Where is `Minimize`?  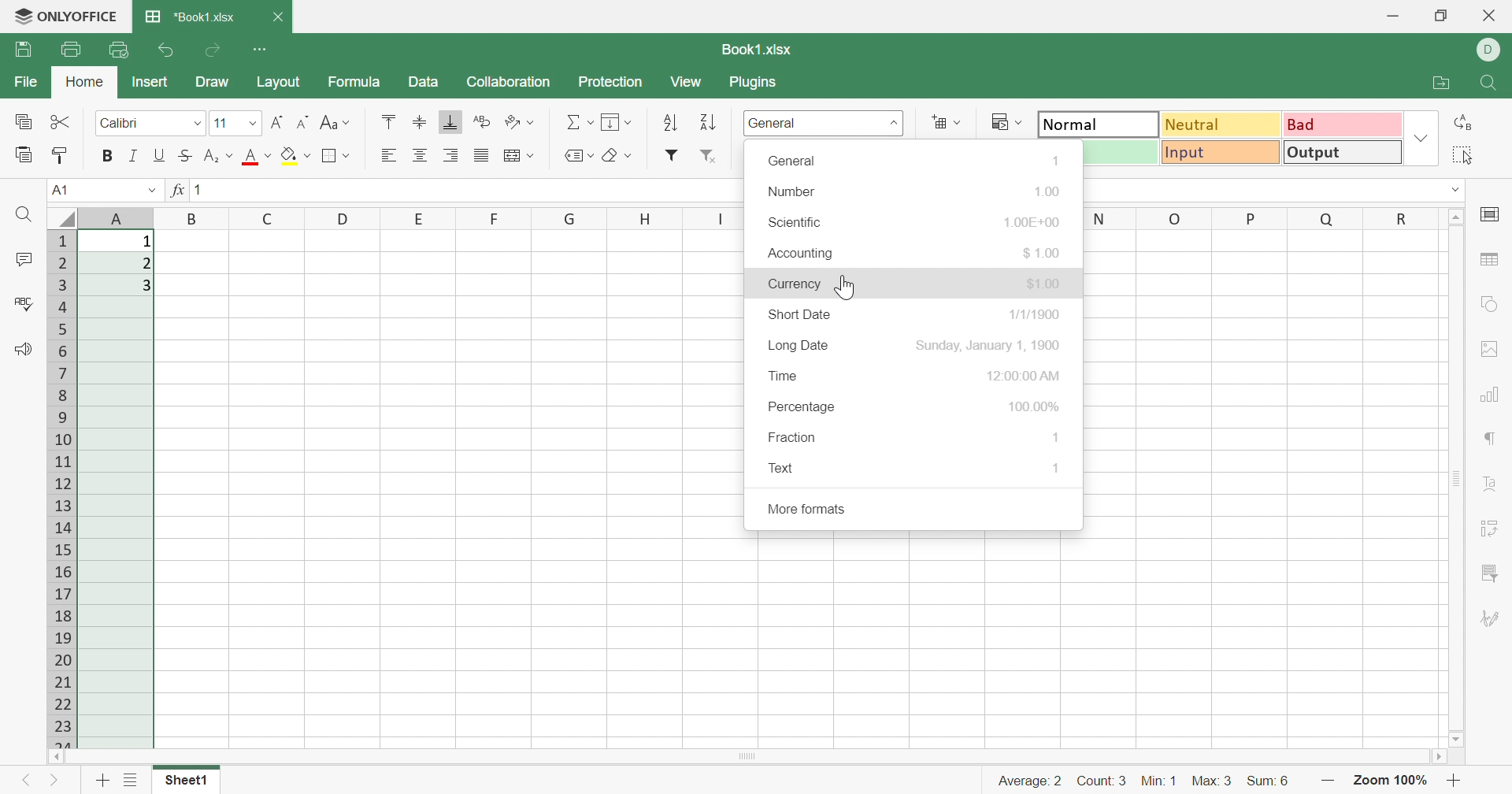 Minimize is located at coordinates (1392, 18).